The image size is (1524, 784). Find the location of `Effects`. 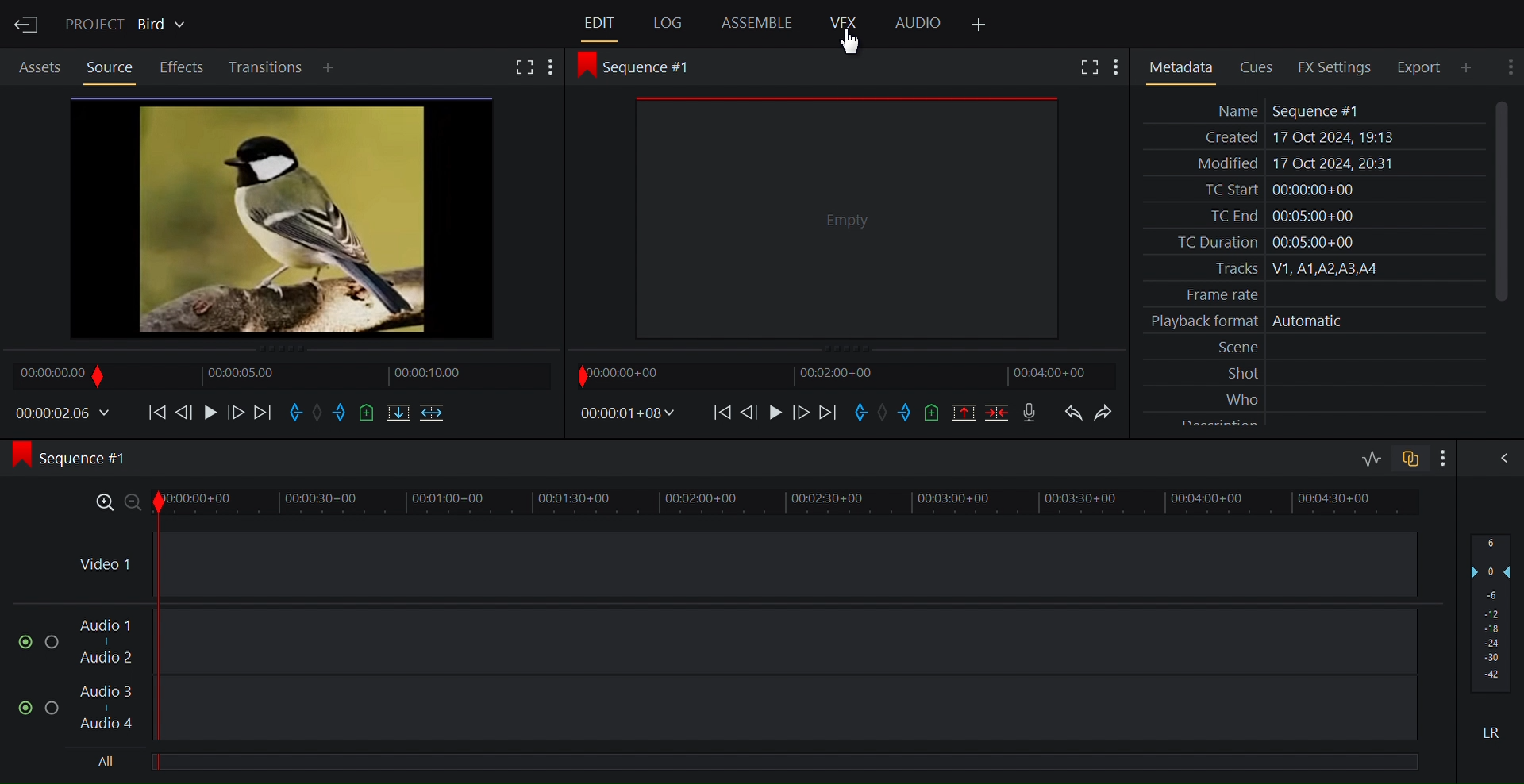

Effects is located at coordinates (179, 67).